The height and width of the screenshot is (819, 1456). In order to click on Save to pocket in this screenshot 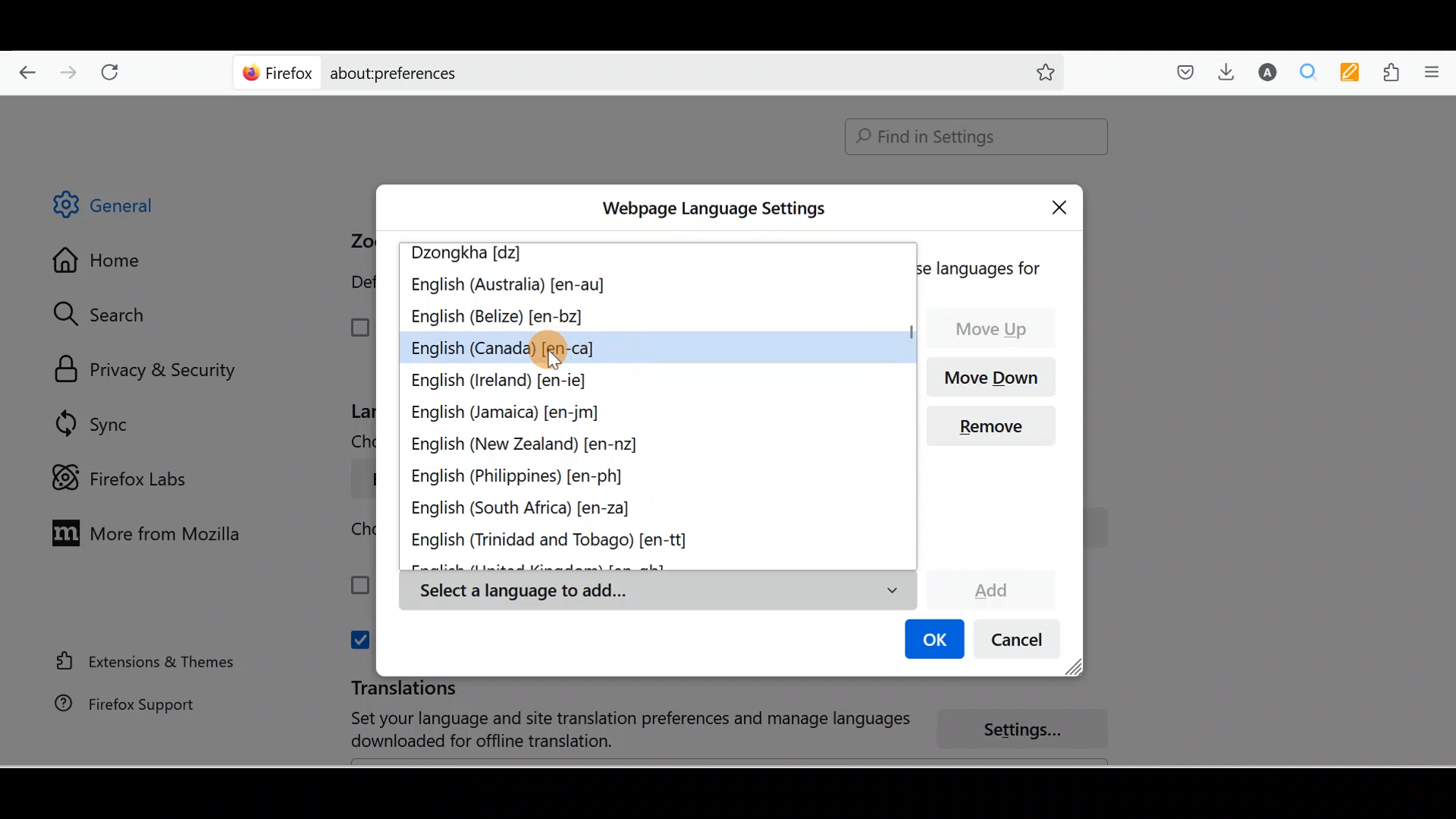, I will do `click(1180, 73)`.